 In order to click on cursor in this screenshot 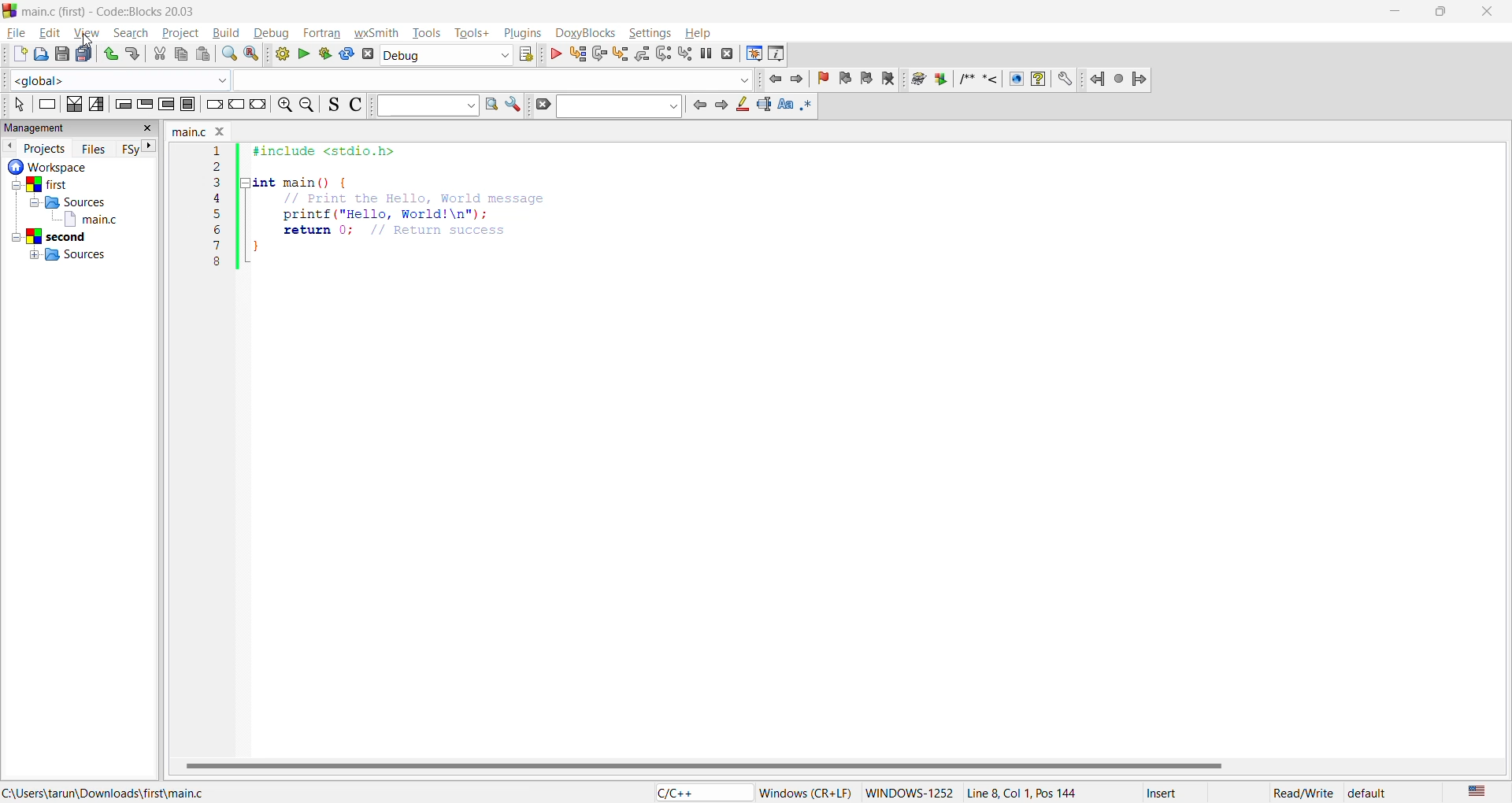, I will do `click(88, 41)`.